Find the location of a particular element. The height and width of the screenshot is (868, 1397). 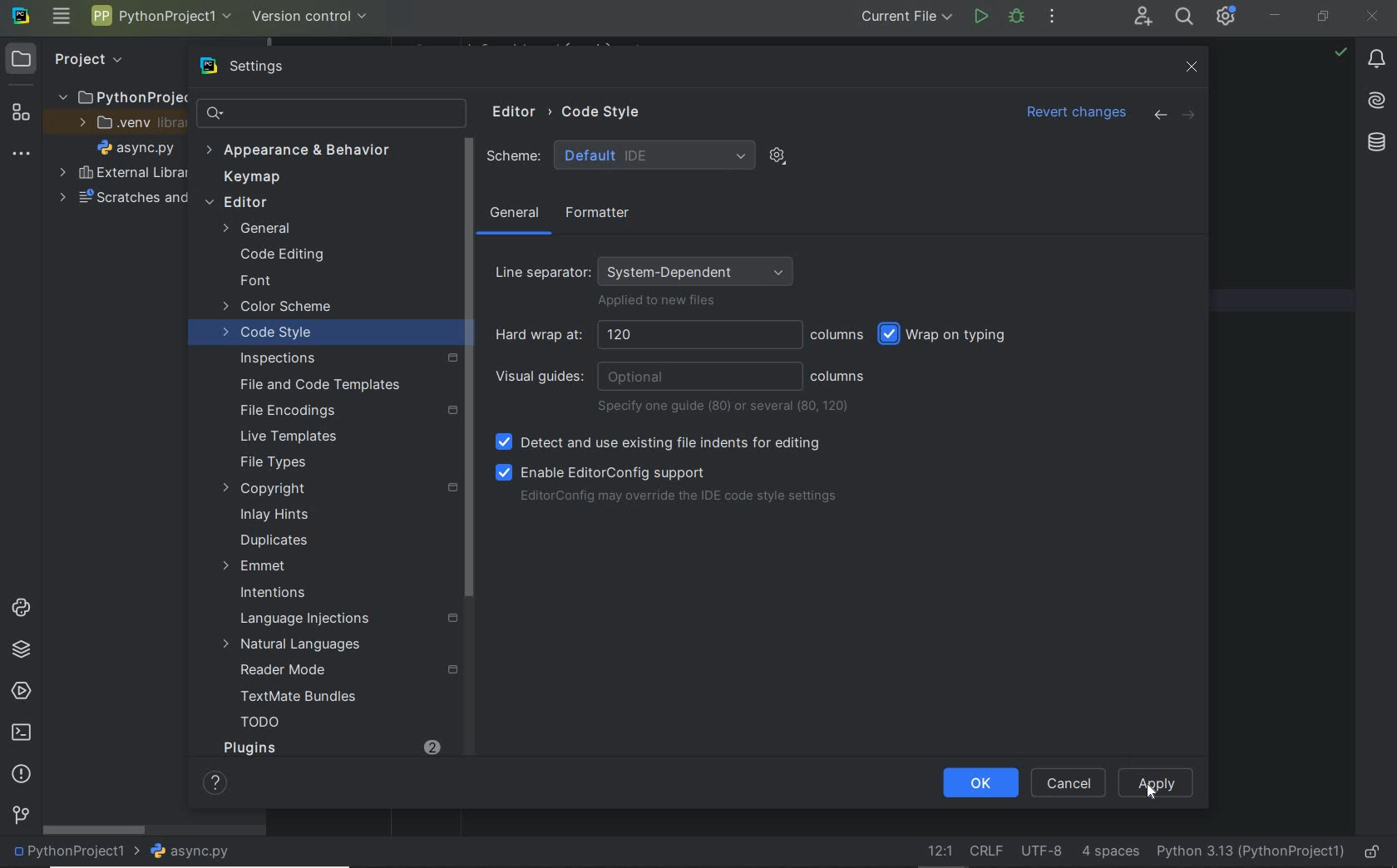

run is located at coordinates (980, 16).